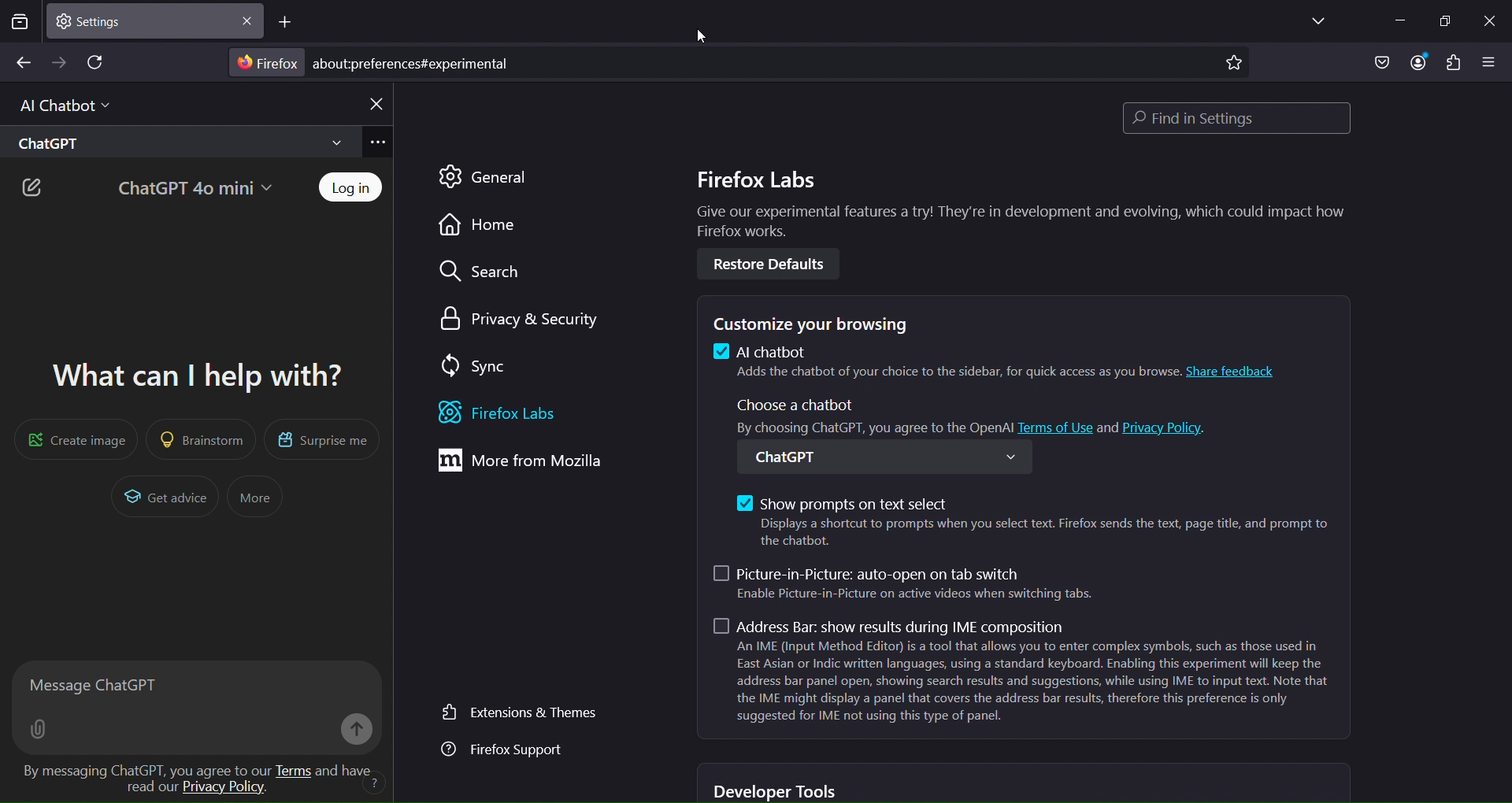 This screenshot has height=803, width=1512. I want to click on move from mozilla, so click(535, 464).